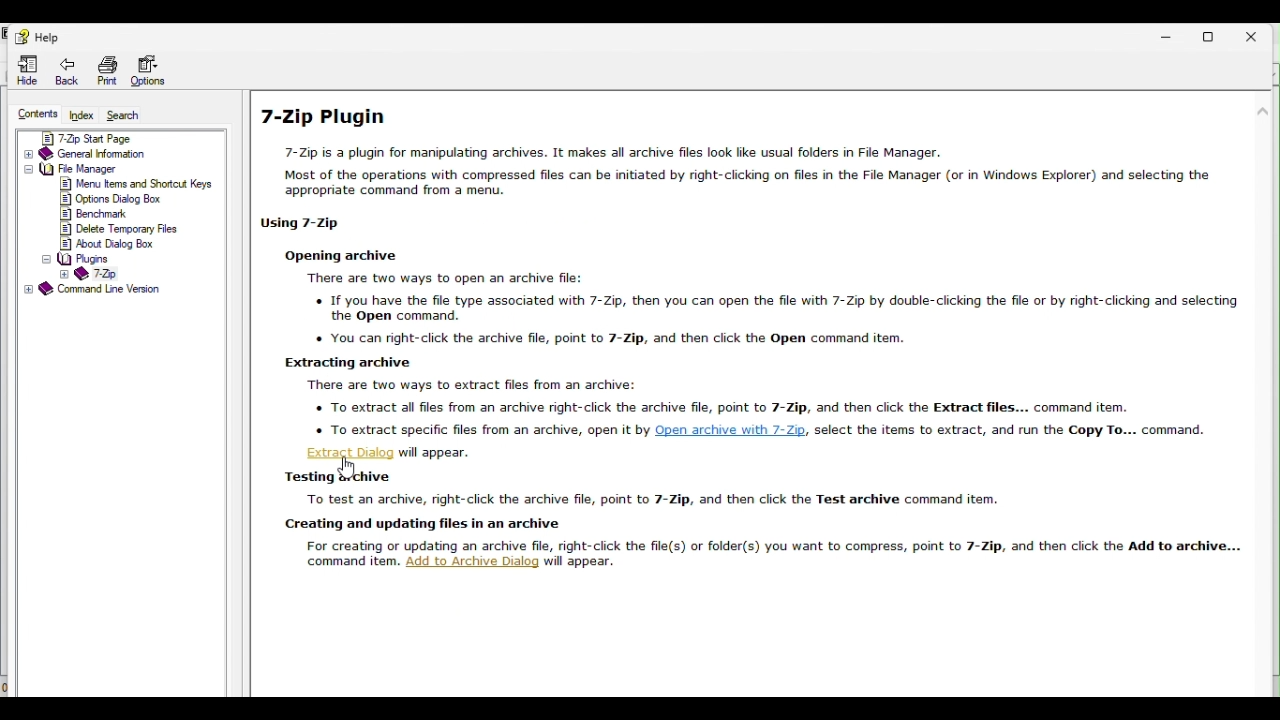 This screenshot has width=1280, height=720. Describe the element at coordinates (471, 431) in the screenshot. I see `o To extract specihc hles from an archive, open It` at that location.